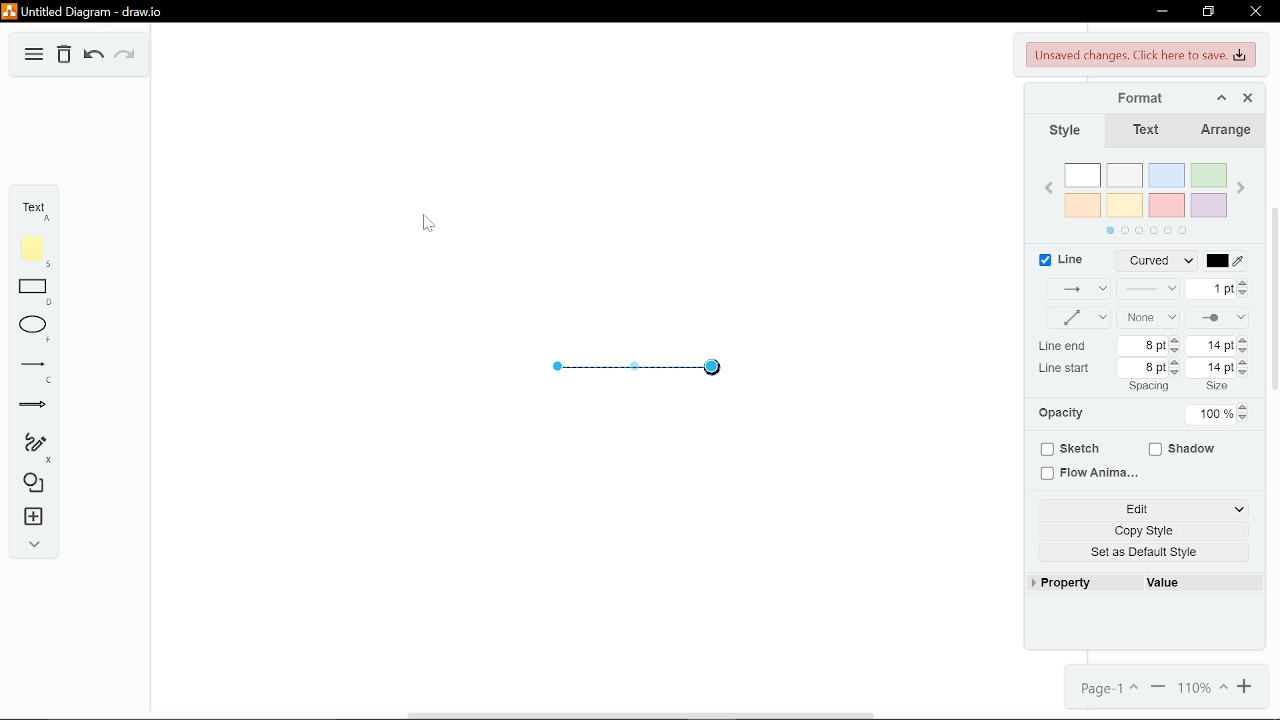 This screenshot has width=1280, height=720. Describe the element at coordinates (1071, 318) in the screenshot. I see `Waypoints` at that location.